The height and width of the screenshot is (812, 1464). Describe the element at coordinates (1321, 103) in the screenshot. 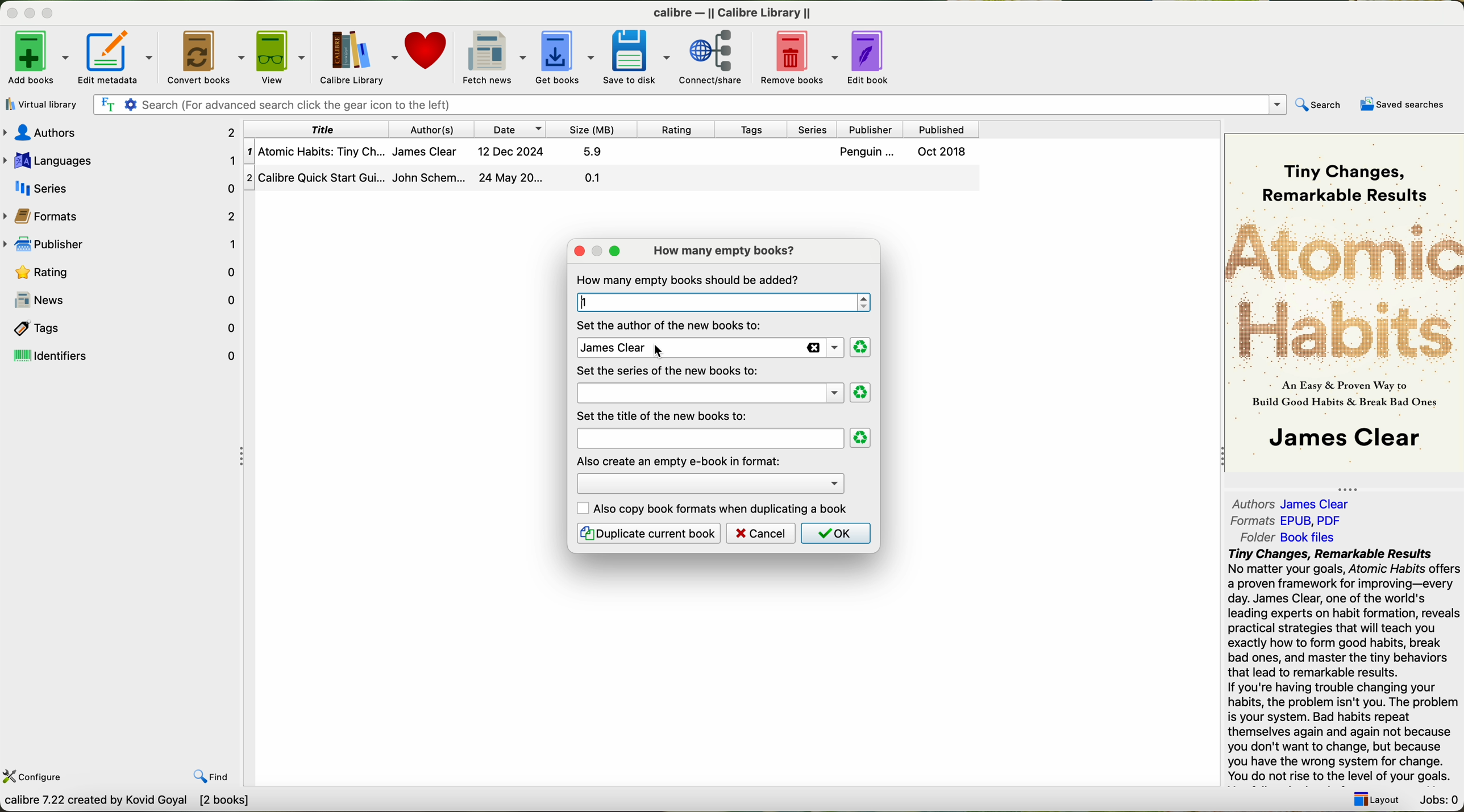

I see `search` at that location.